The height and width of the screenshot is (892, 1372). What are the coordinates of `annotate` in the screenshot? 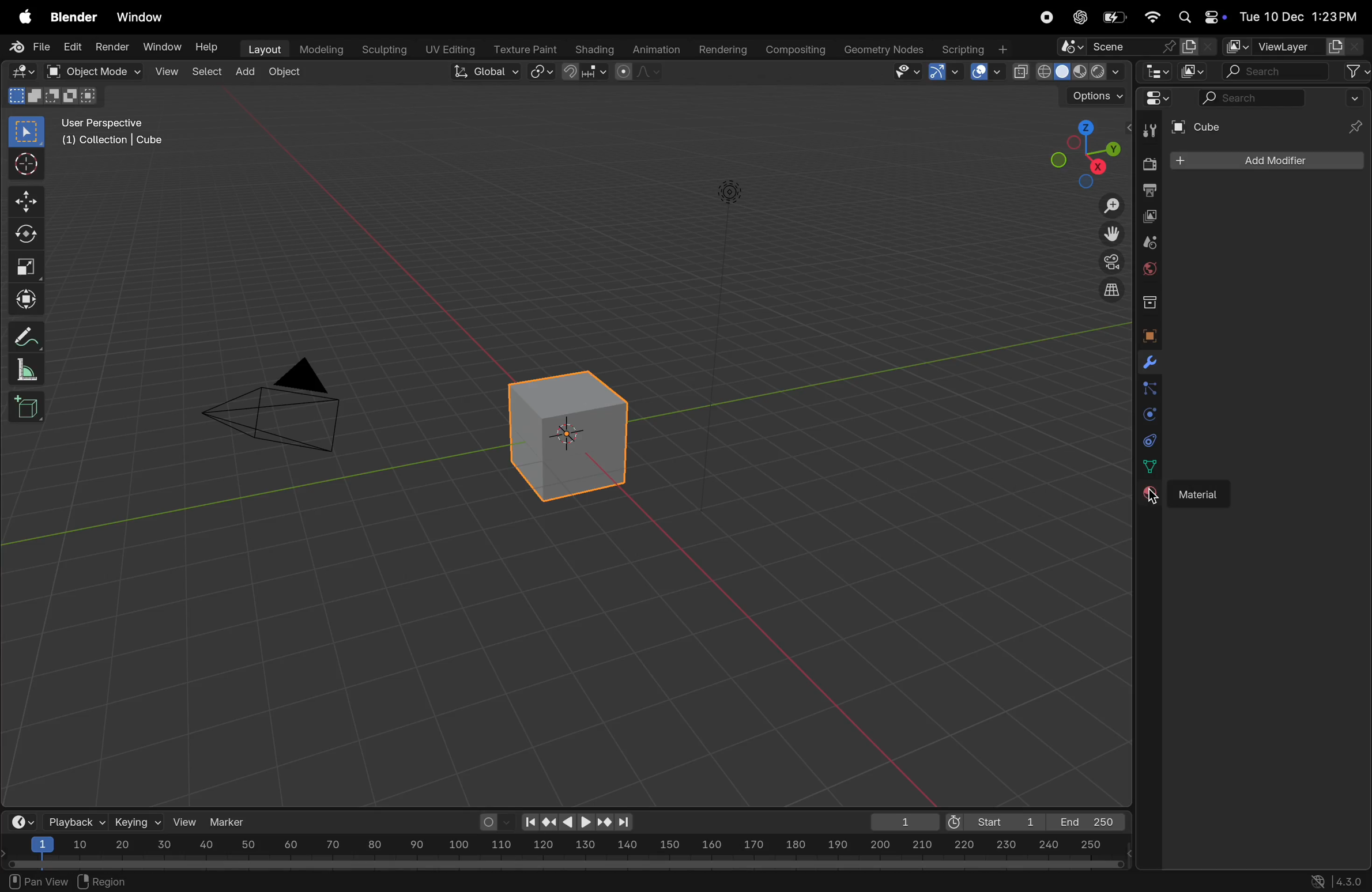 It's located at (22, 336).